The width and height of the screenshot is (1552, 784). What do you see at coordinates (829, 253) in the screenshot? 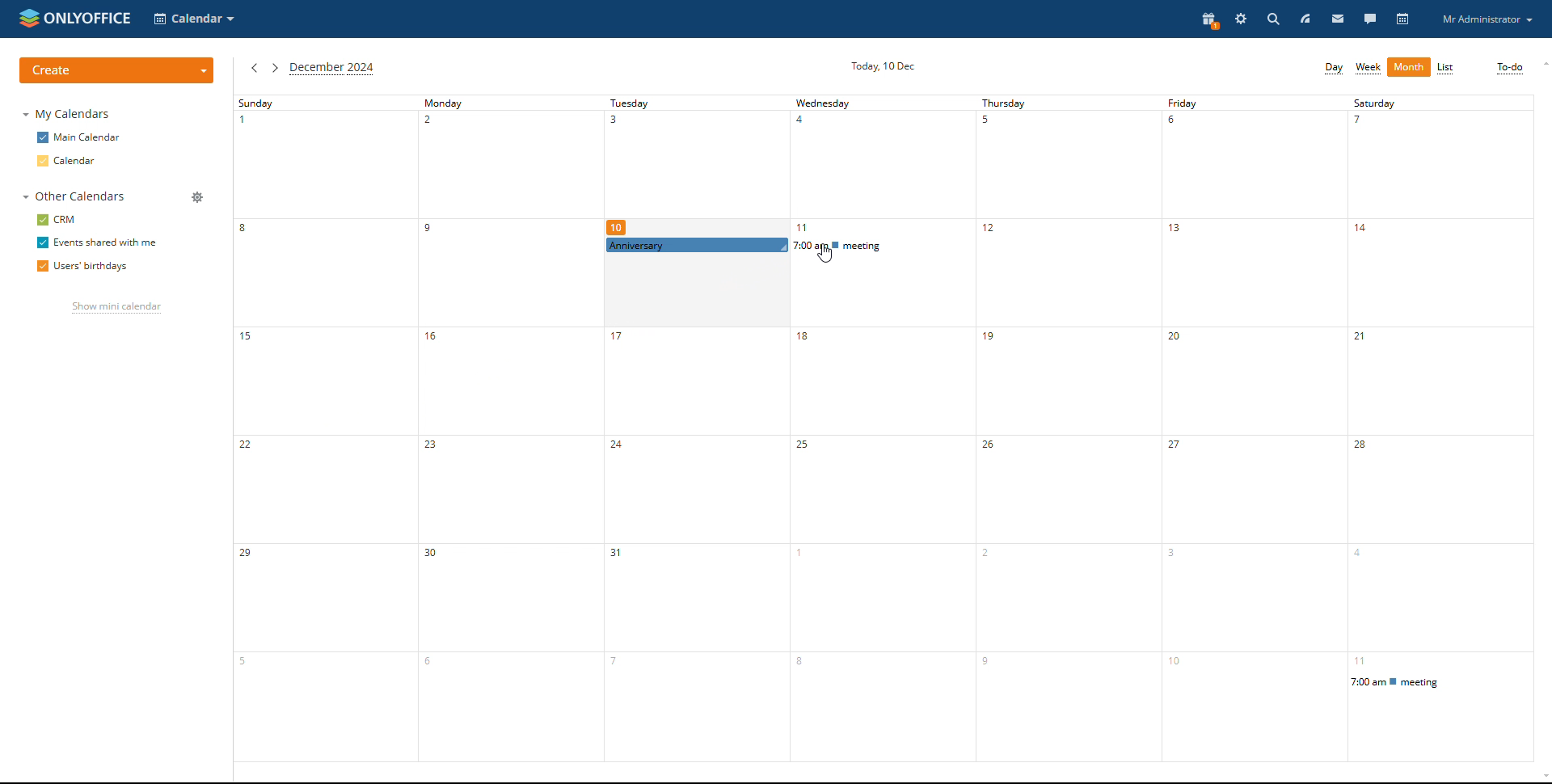
I see `cursor` at bounding box center [829, 253].